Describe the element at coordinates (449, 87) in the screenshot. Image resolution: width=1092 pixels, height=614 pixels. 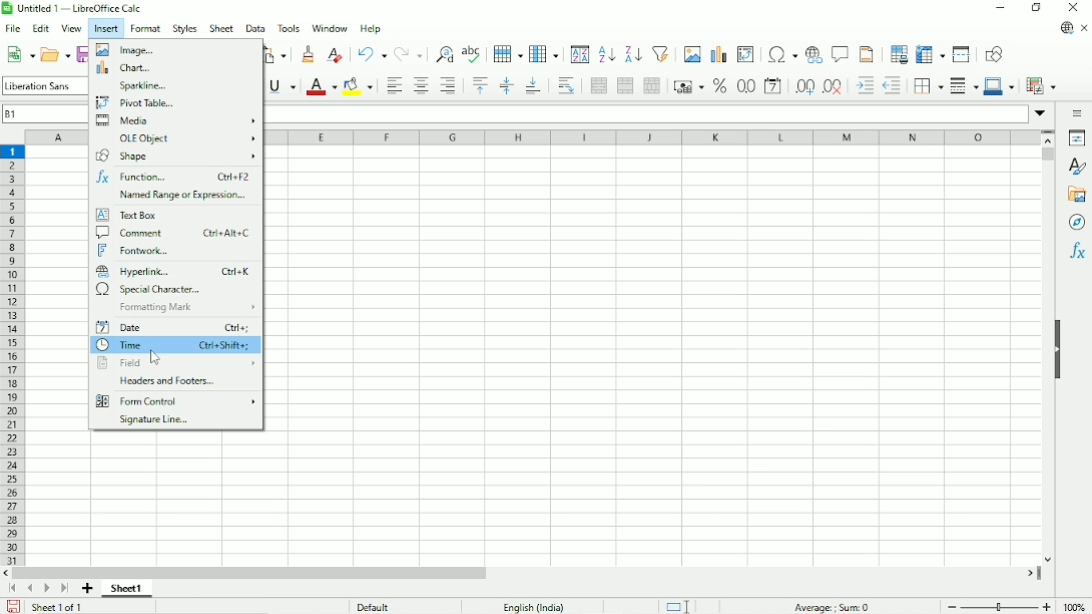
I see `Align right` at that location.